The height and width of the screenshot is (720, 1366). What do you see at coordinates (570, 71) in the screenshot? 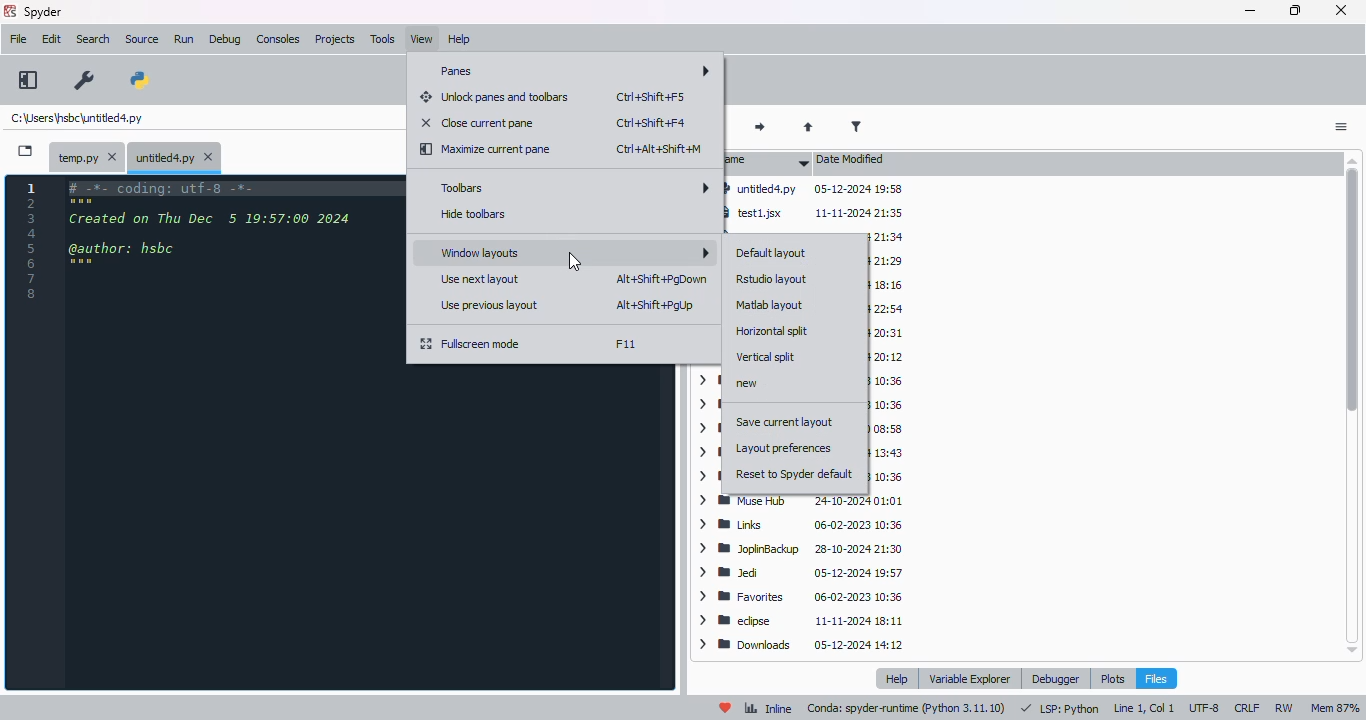
I see `panes` at bounding box center [570, 71].